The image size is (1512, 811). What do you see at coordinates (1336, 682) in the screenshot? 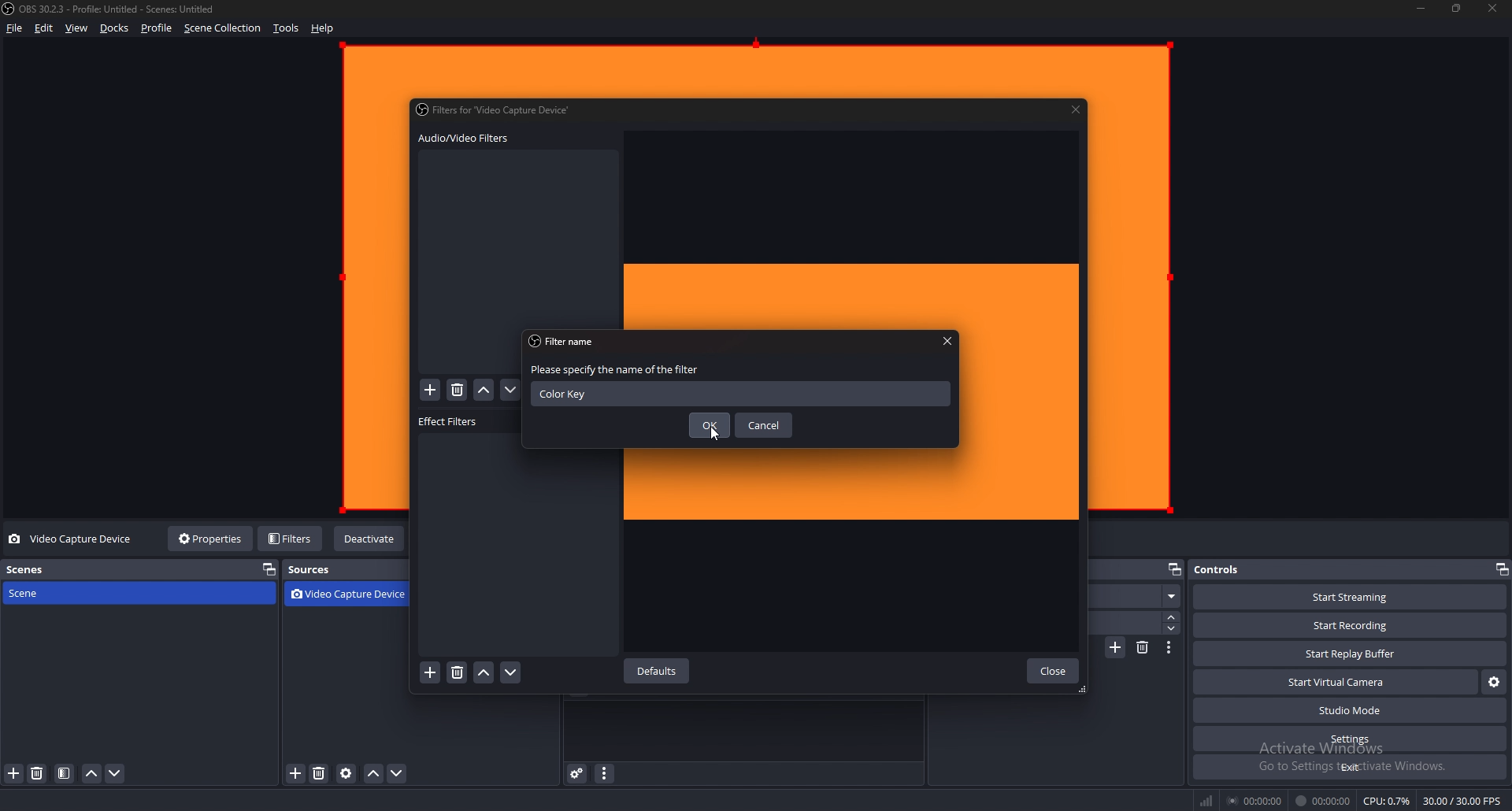
I see `start virtual camera` at bounding box center [1336, 682].